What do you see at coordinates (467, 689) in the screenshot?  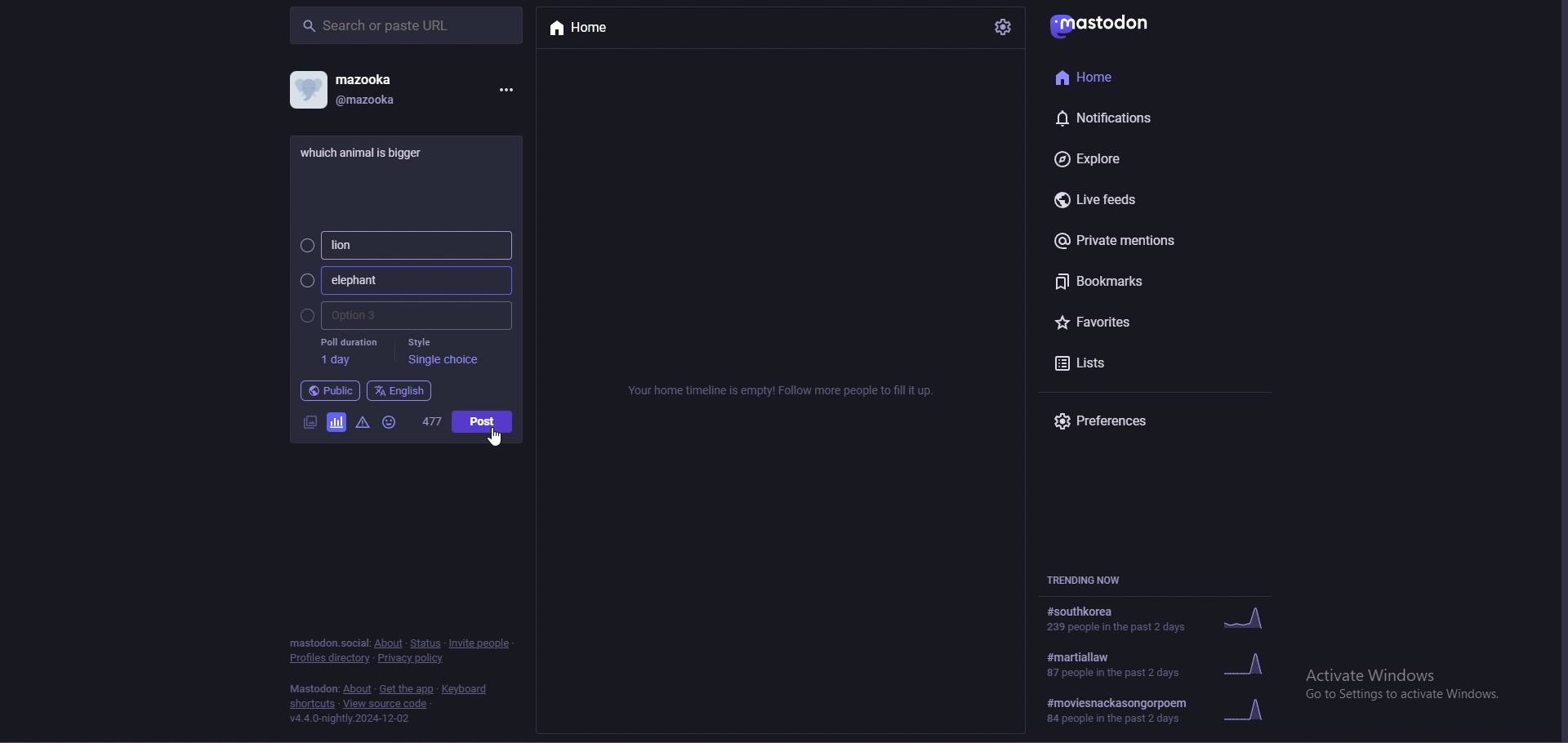 I see `keyboard` at bounding box center [467, 689].